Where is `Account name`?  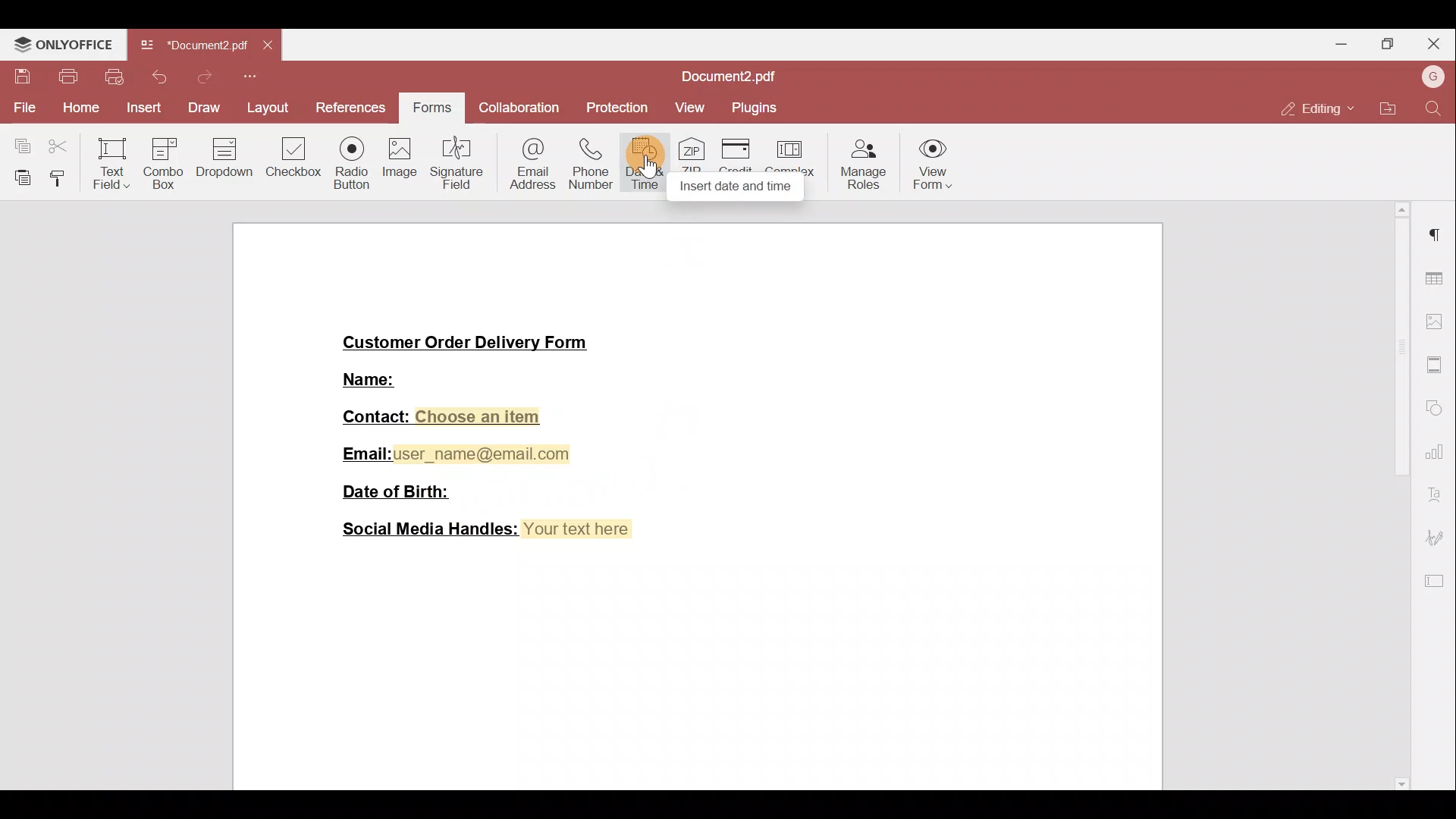 Account name is located at coordinates (1432, 76).